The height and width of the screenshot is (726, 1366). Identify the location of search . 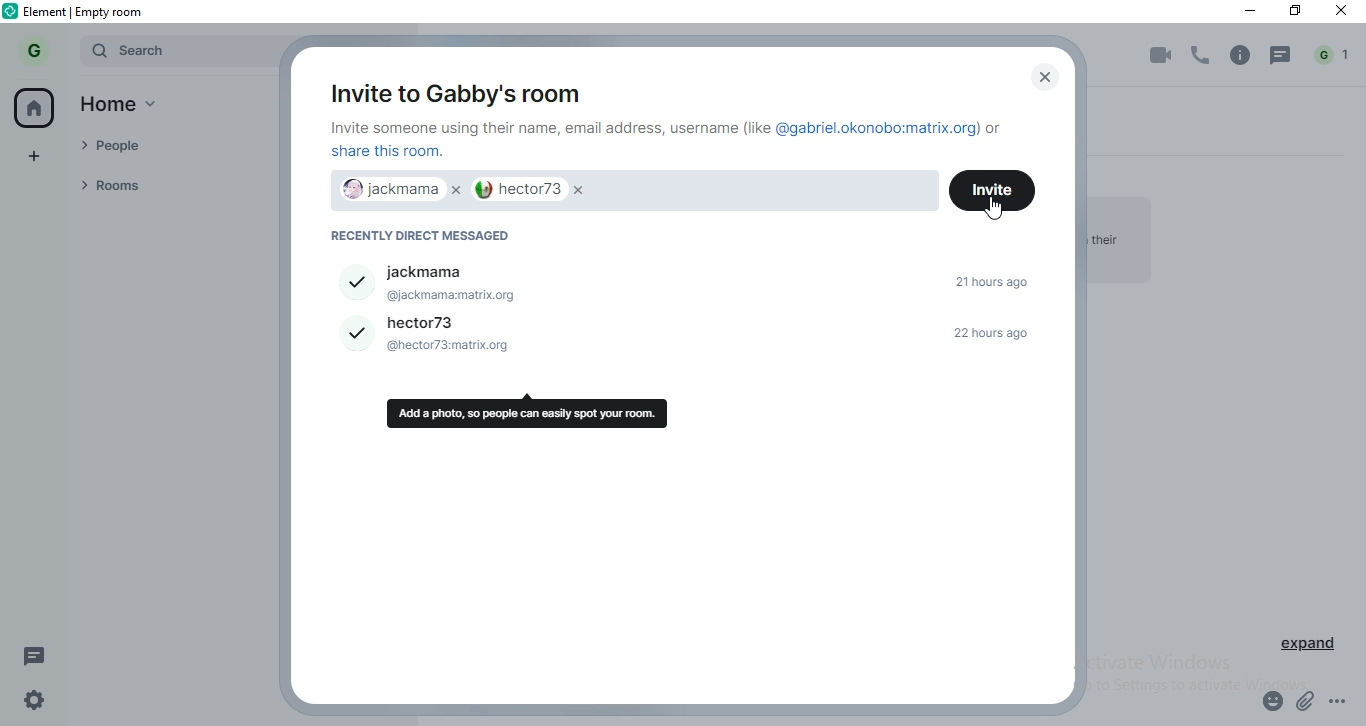
(174, 51).